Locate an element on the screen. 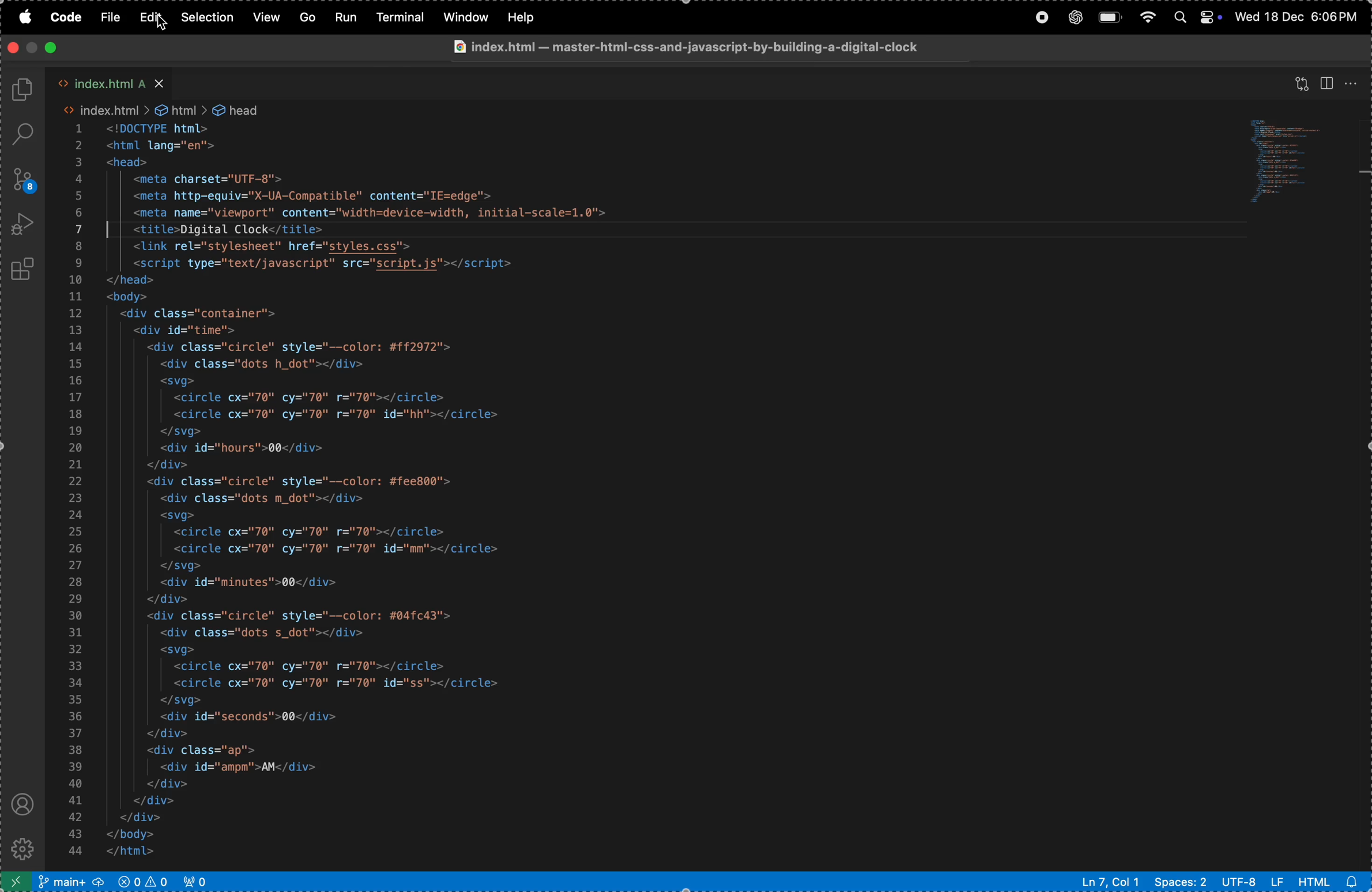 This screenshot has width=1372, height=892. cursor is located at coordinates (161, 25).